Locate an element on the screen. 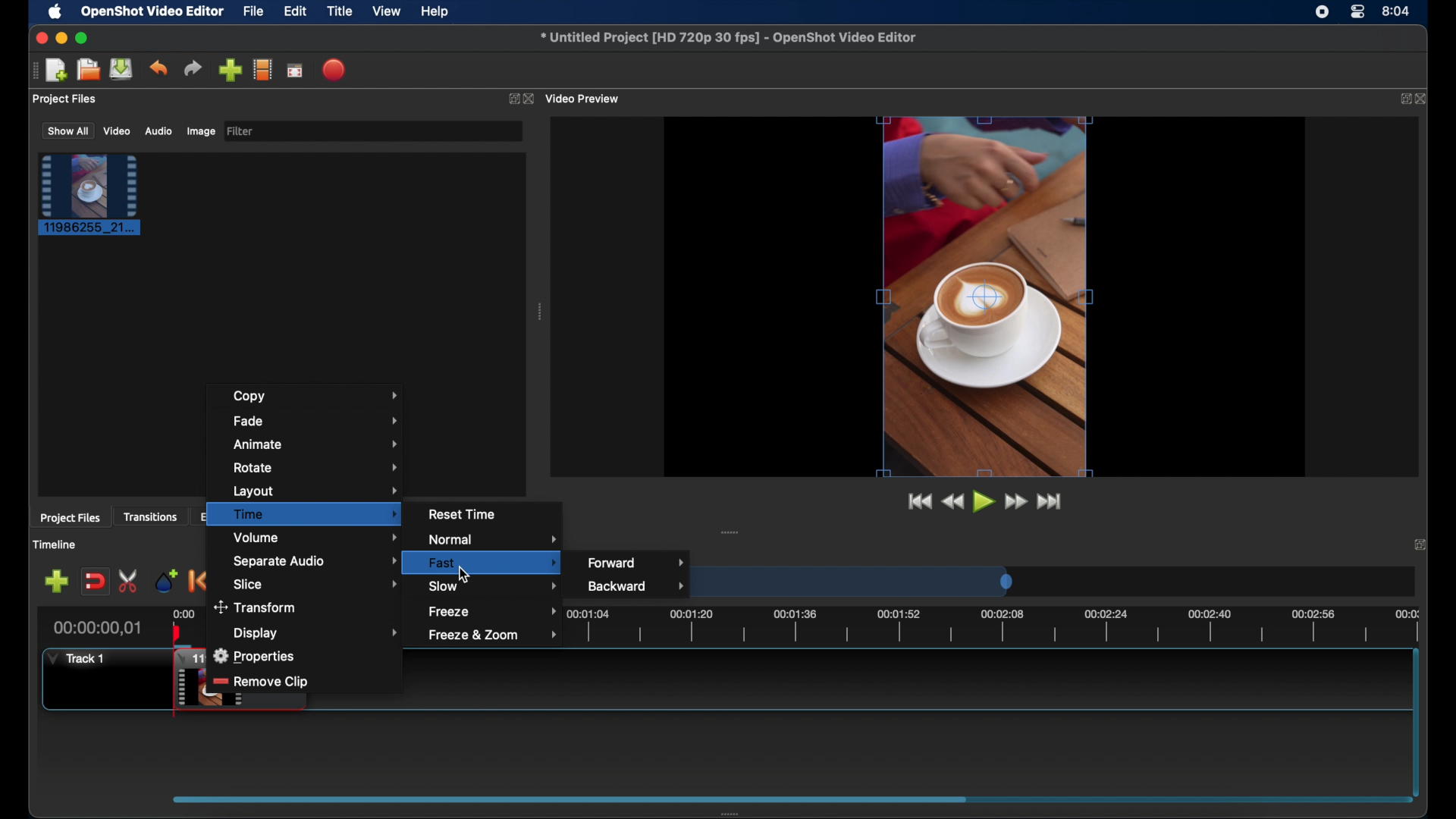 This screenshot has width=1456, height=819. scroll box is located at coordinates (568, 797).